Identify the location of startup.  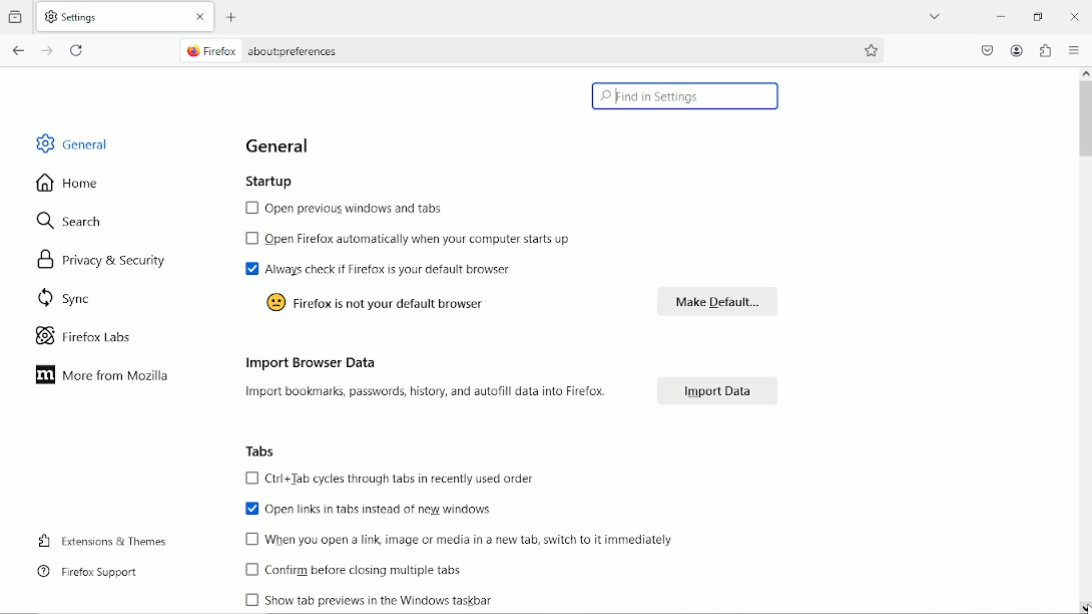
(267, 182).